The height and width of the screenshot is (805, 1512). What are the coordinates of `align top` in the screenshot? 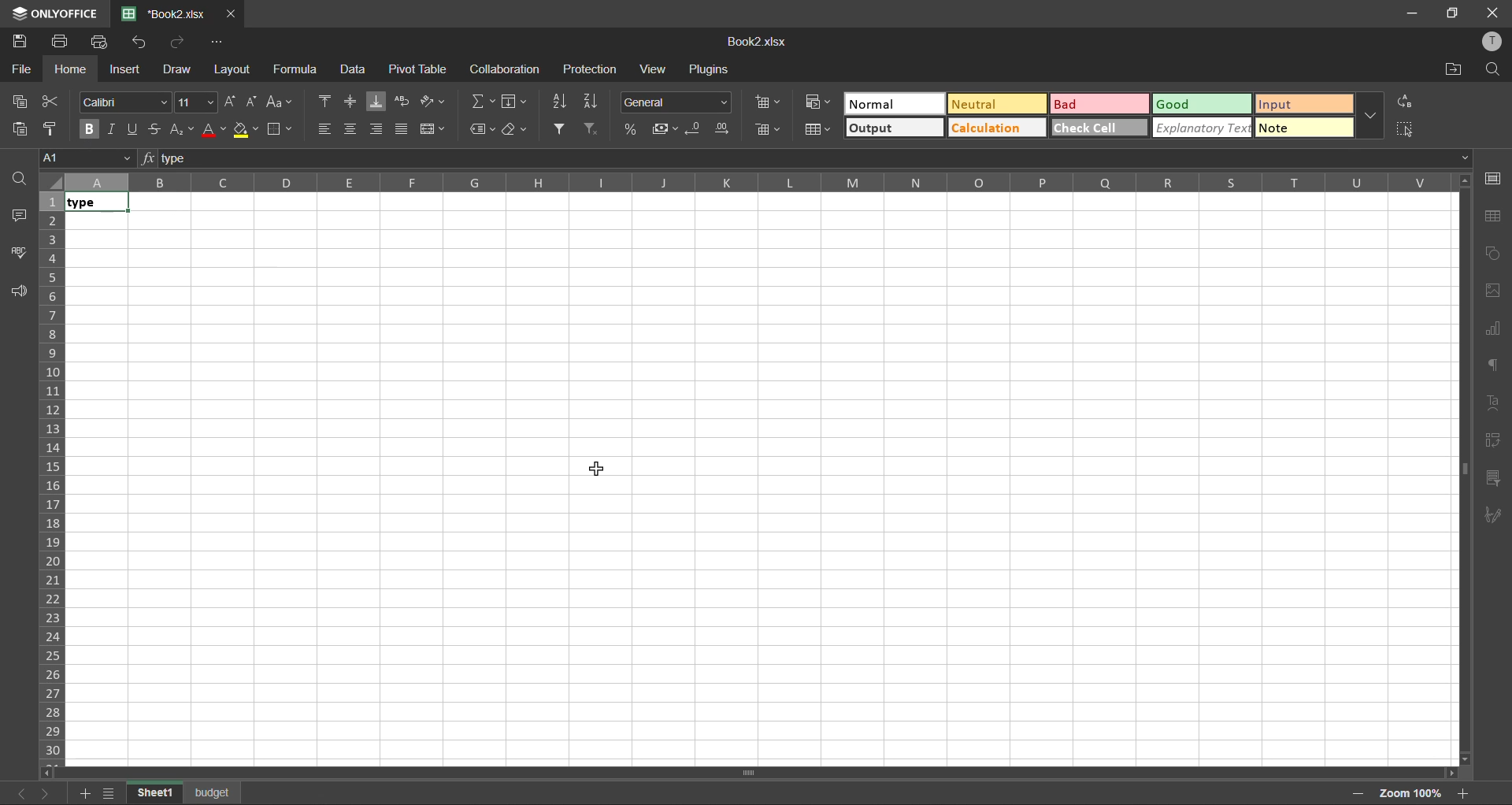 It's located at (326, 102).